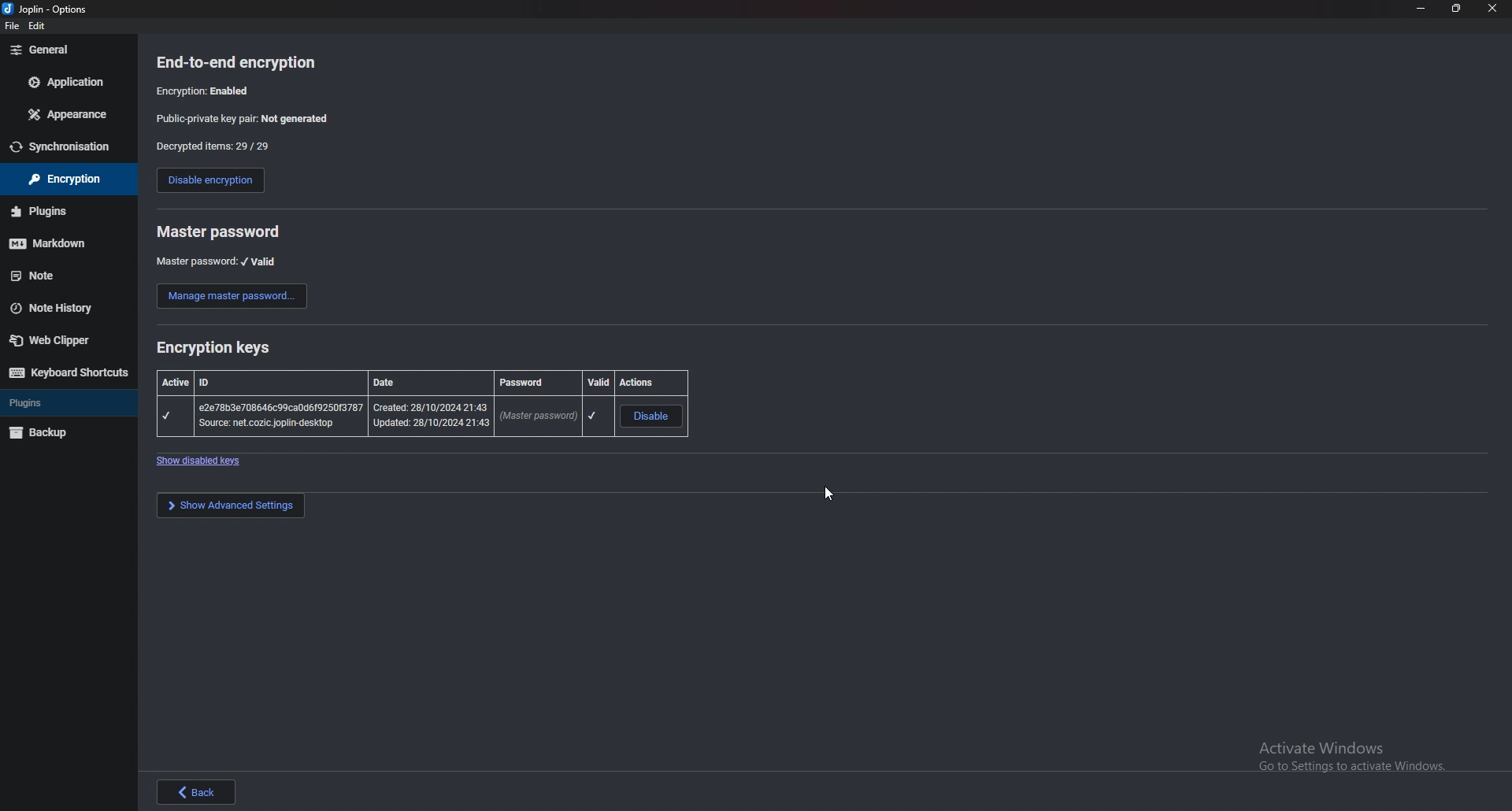 The width and height of the screenshot is (1512, 811). What do you see at coordinates (65, 115) in the screenshot?
I see `` at bounding box center [65, 115].